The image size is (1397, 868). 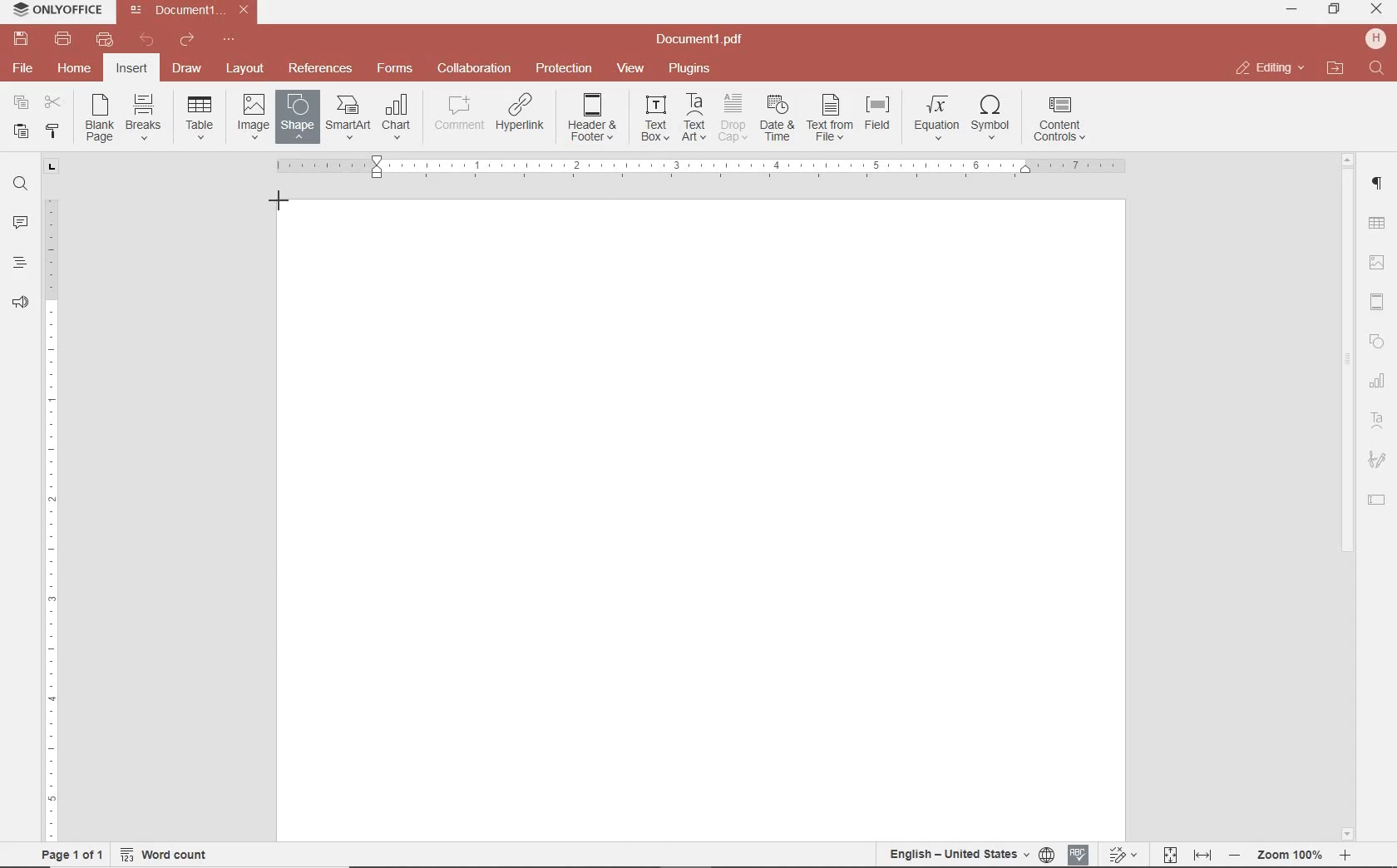 I want to click on DROP CAP, so click(x=733, y=118).